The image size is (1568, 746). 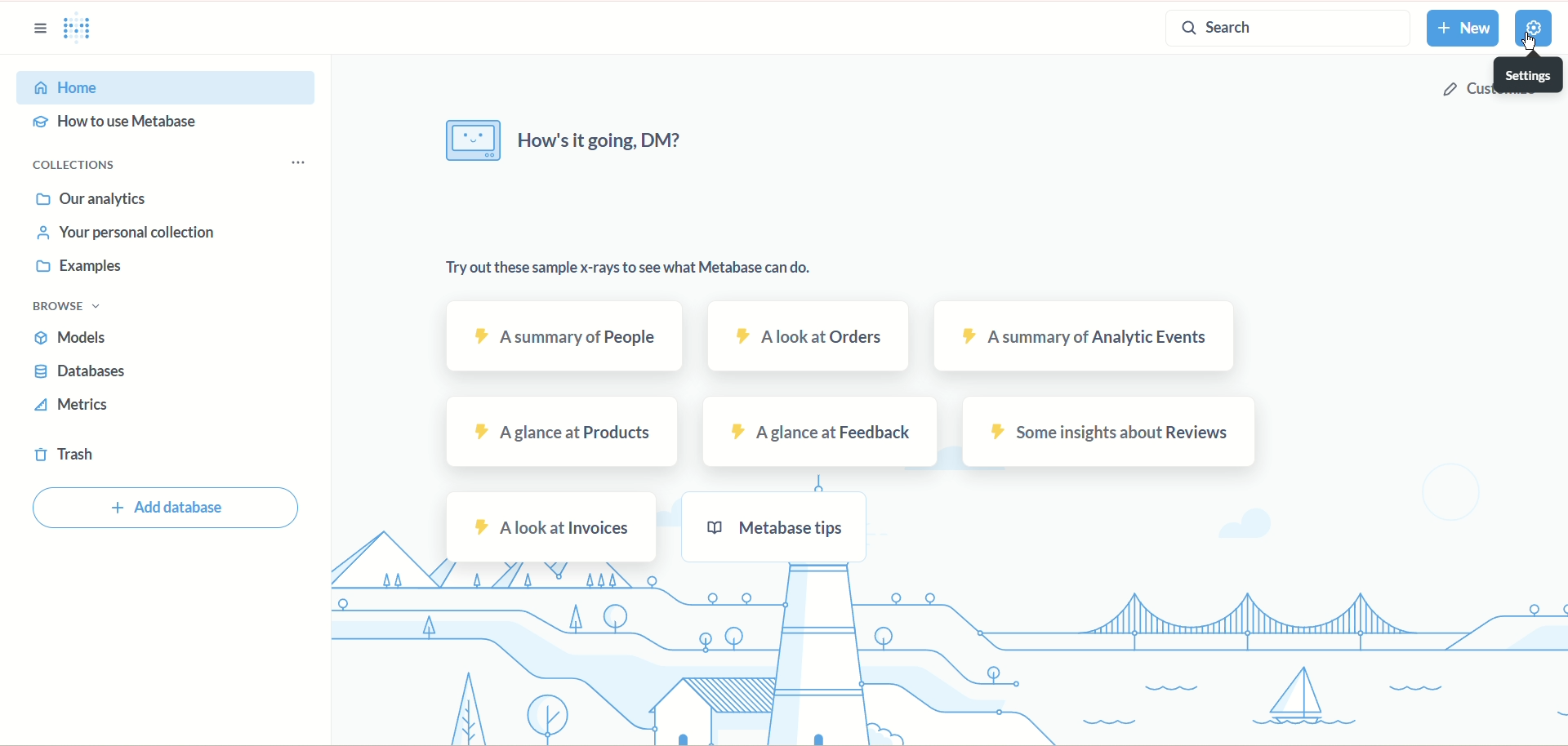 What do you see at coordinates (65, 452) in the screenshot?
I see `trash` at bounding box center [65, 452].